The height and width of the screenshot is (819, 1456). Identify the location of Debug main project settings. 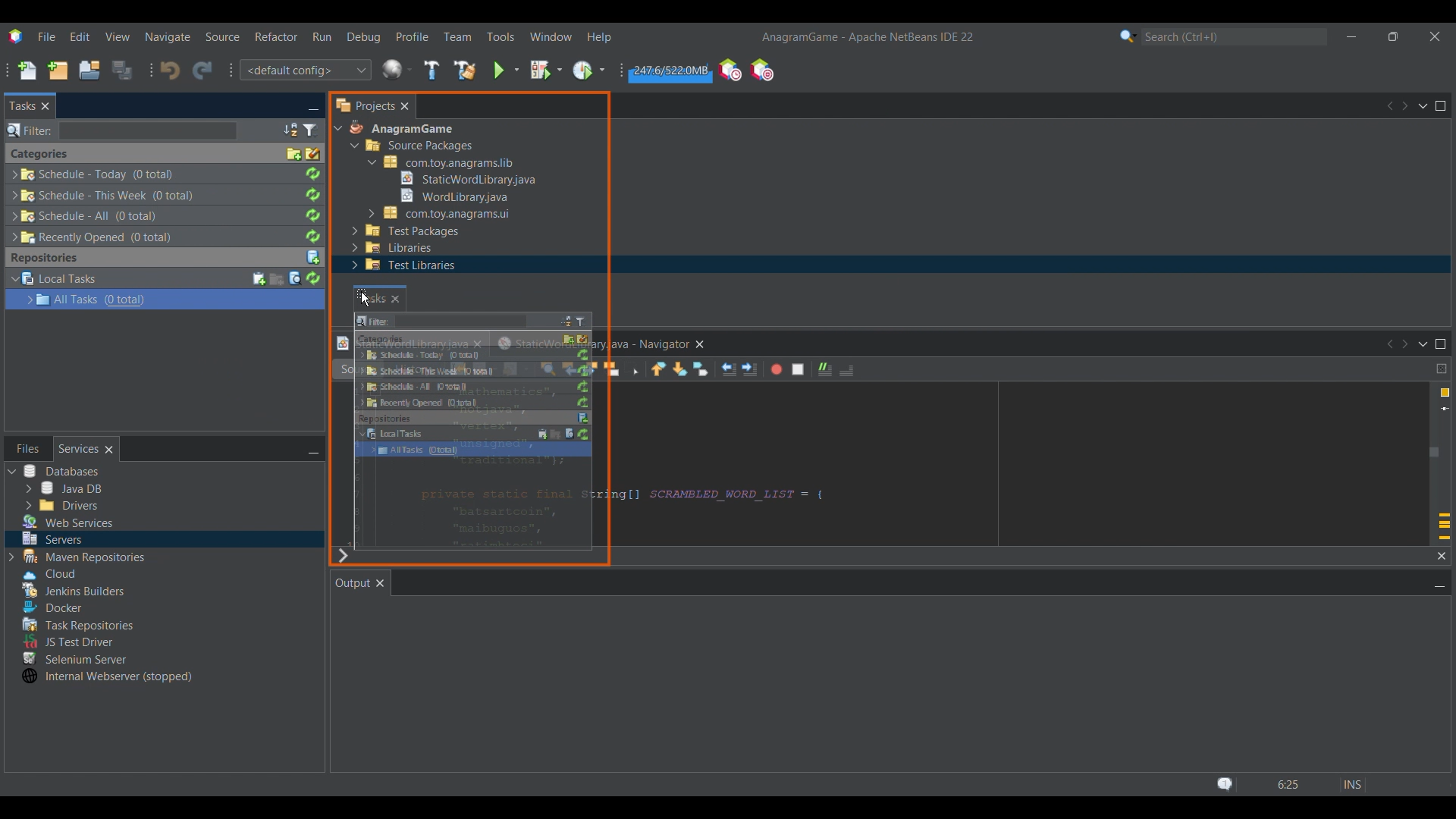
(546, 70).